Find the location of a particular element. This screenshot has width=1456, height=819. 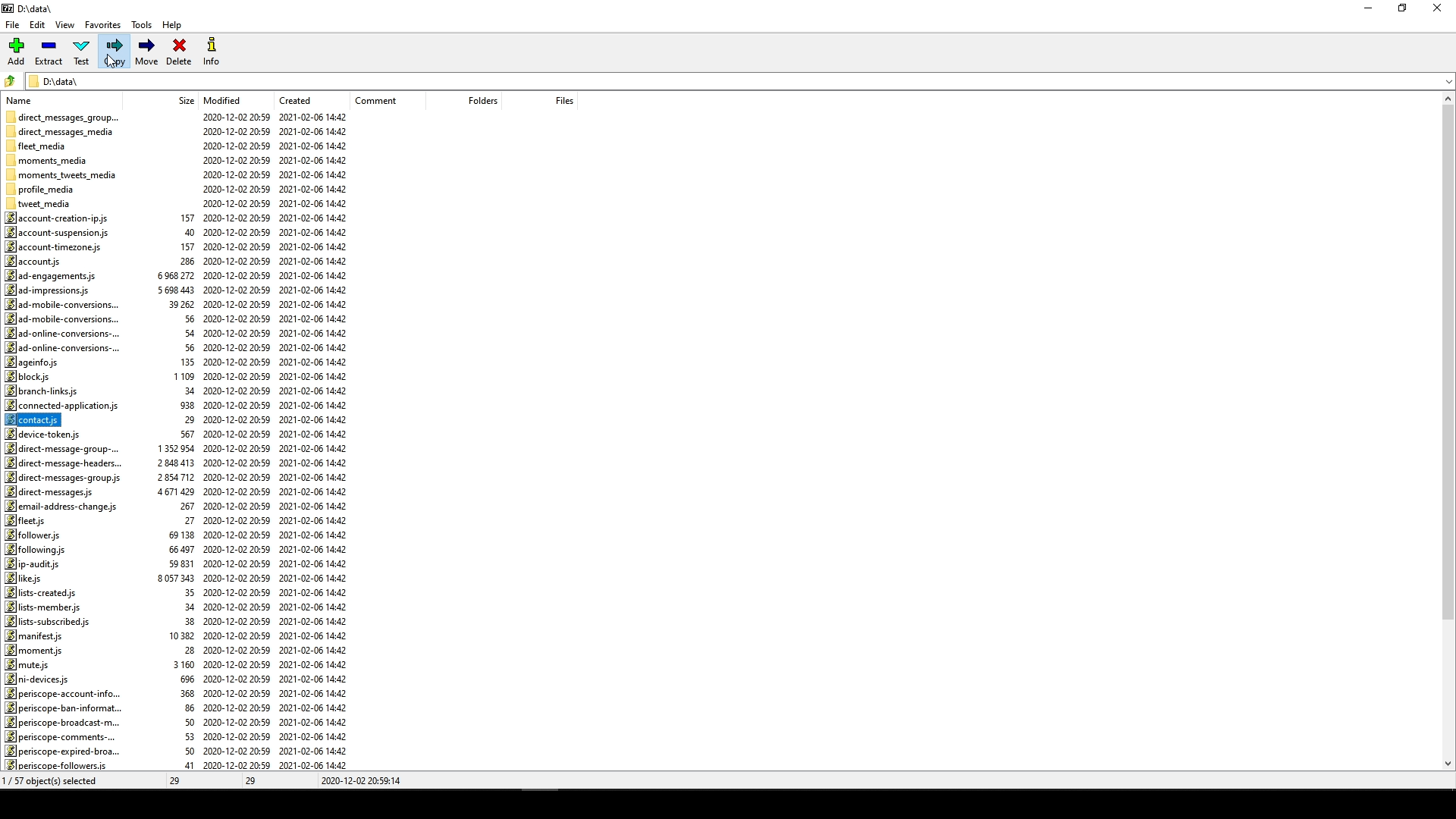

ad-mobile-conversions is located at coordinates (61, 305).